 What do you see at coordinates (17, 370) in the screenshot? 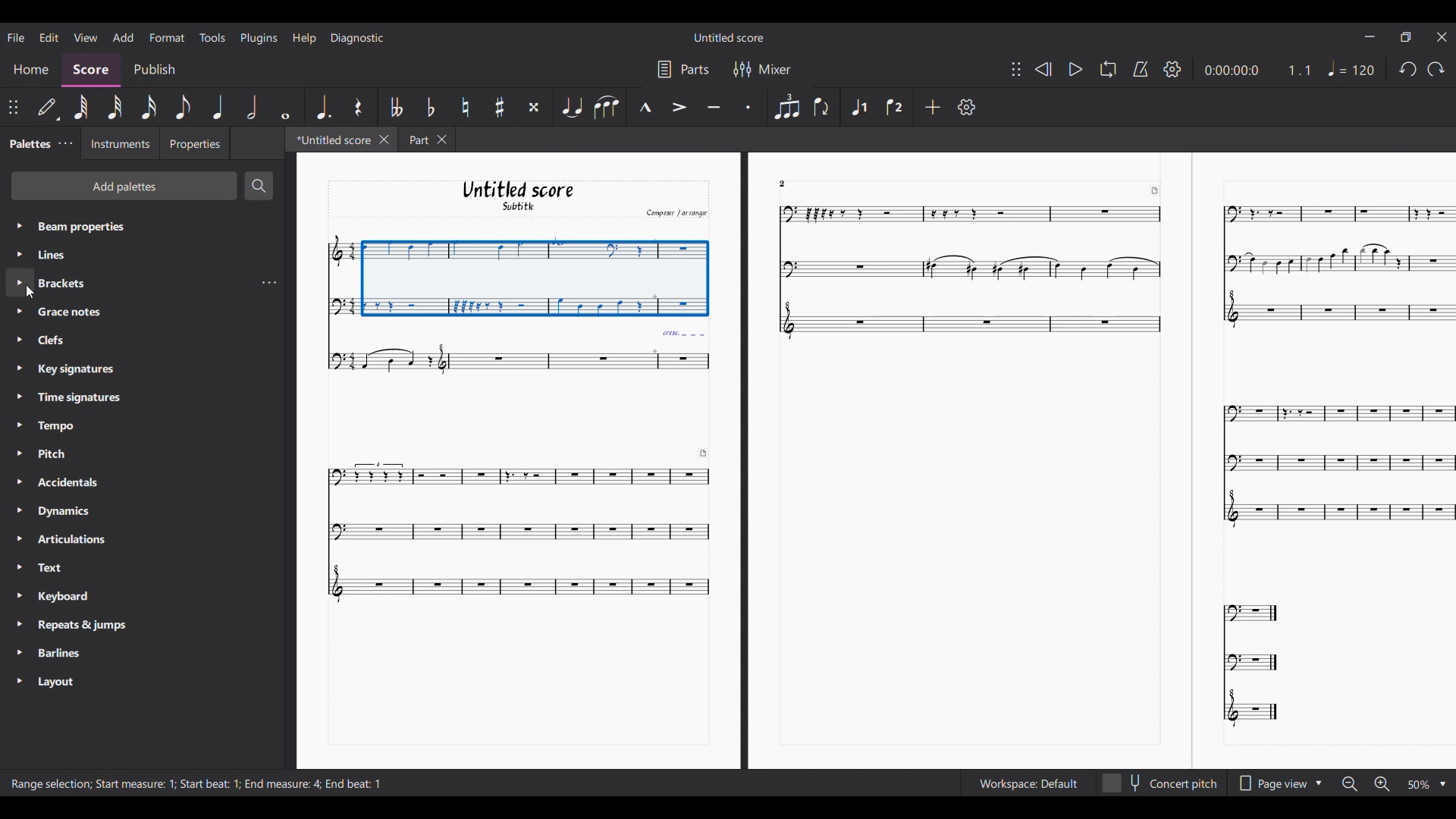
I see `` at bounding box center [17, 370].